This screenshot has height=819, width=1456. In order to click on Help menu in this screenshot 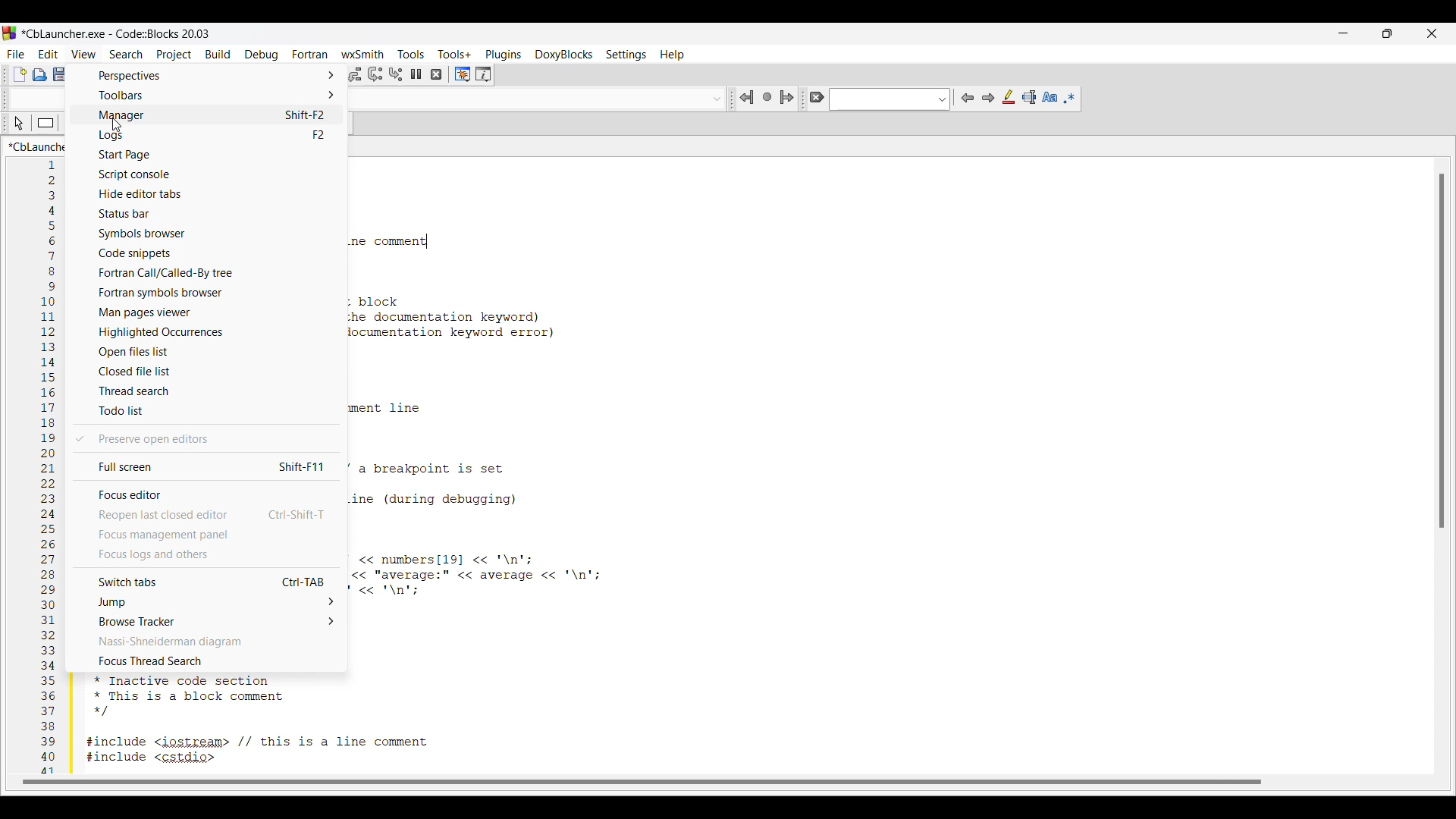, I will do `click(672, 55)`.